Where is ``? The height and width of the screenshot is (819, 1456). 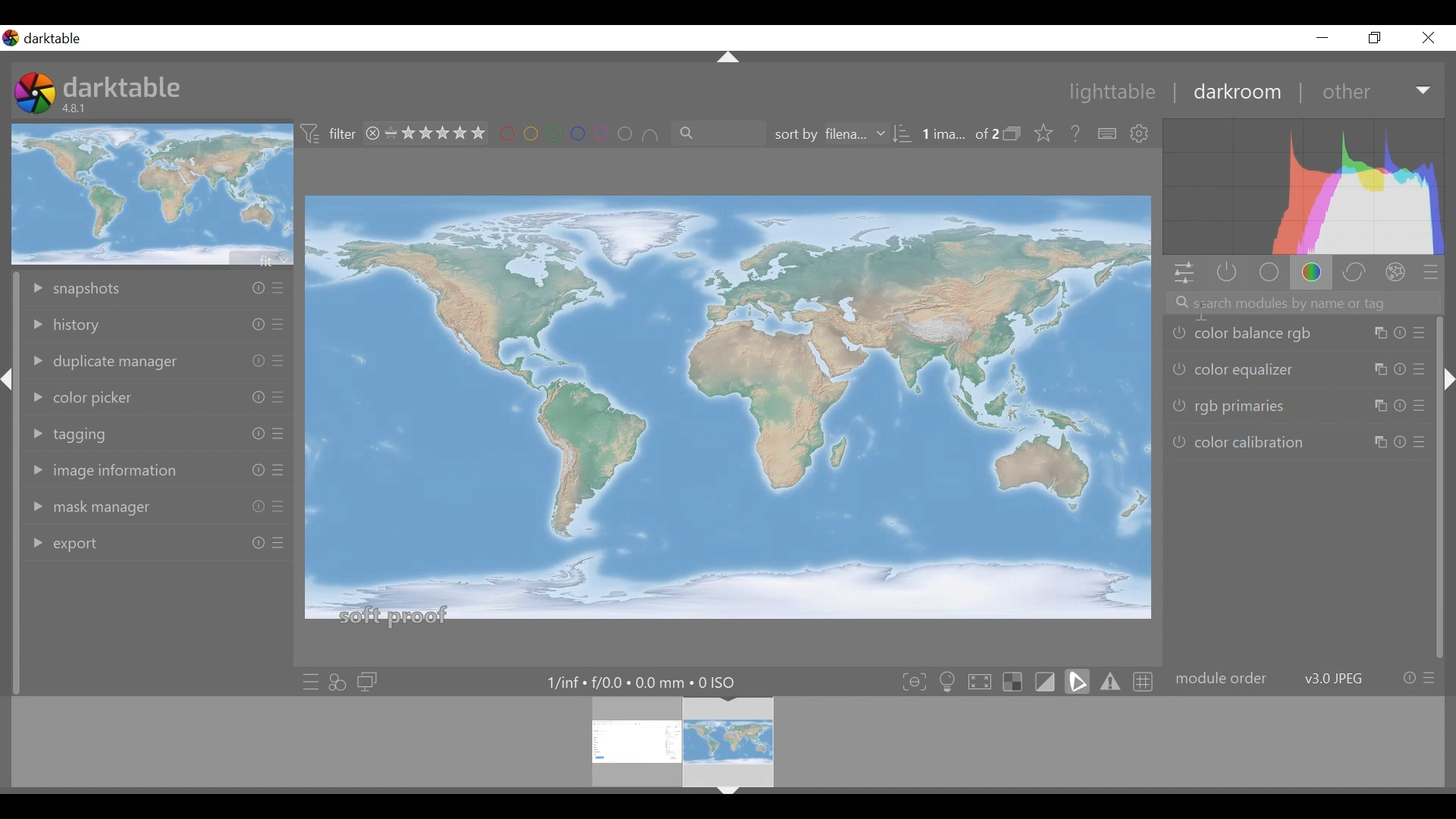
 is located at coordinates (249, 396).